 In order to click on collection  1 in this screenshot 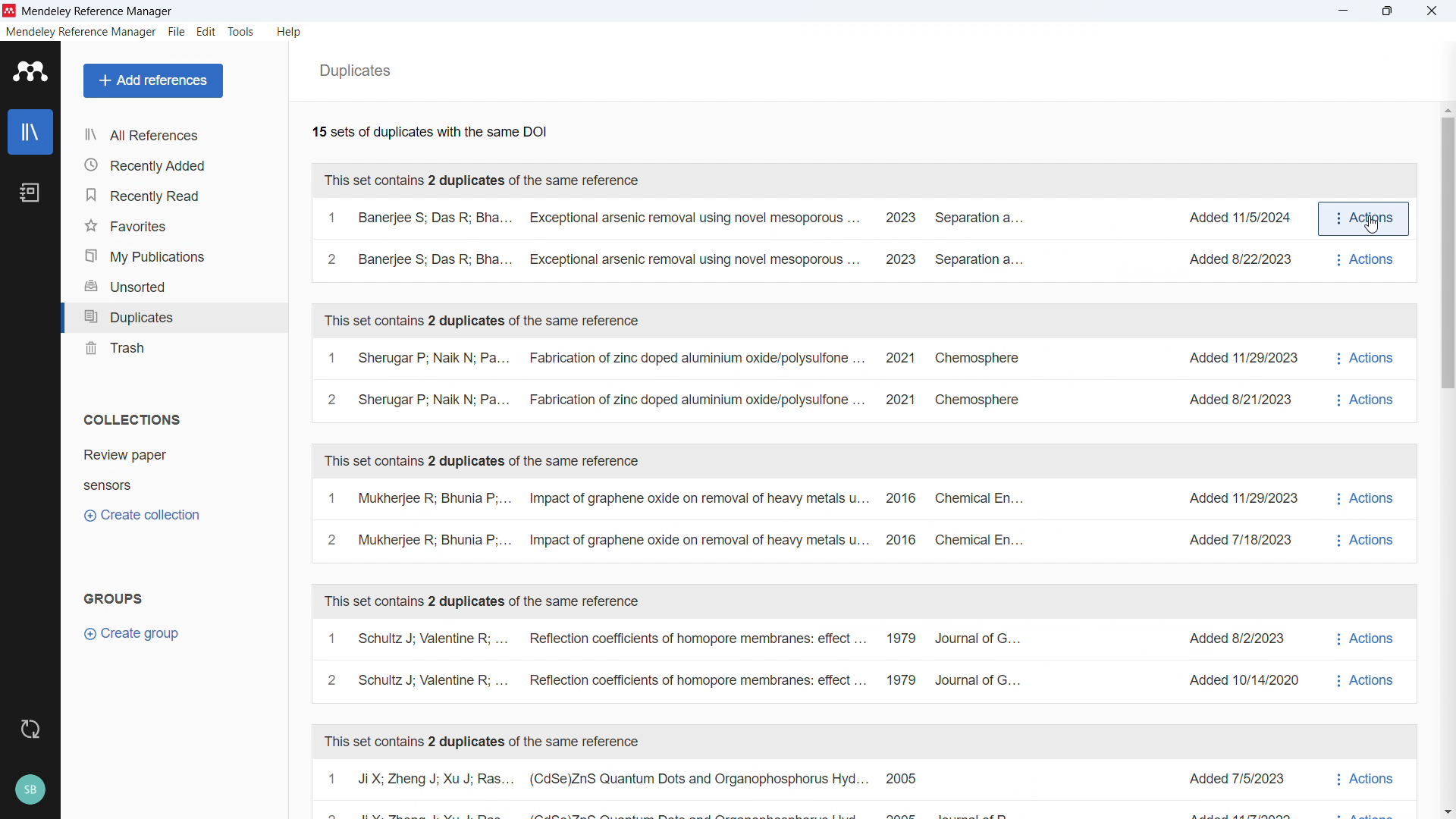, I will do `click(168, 453)`.